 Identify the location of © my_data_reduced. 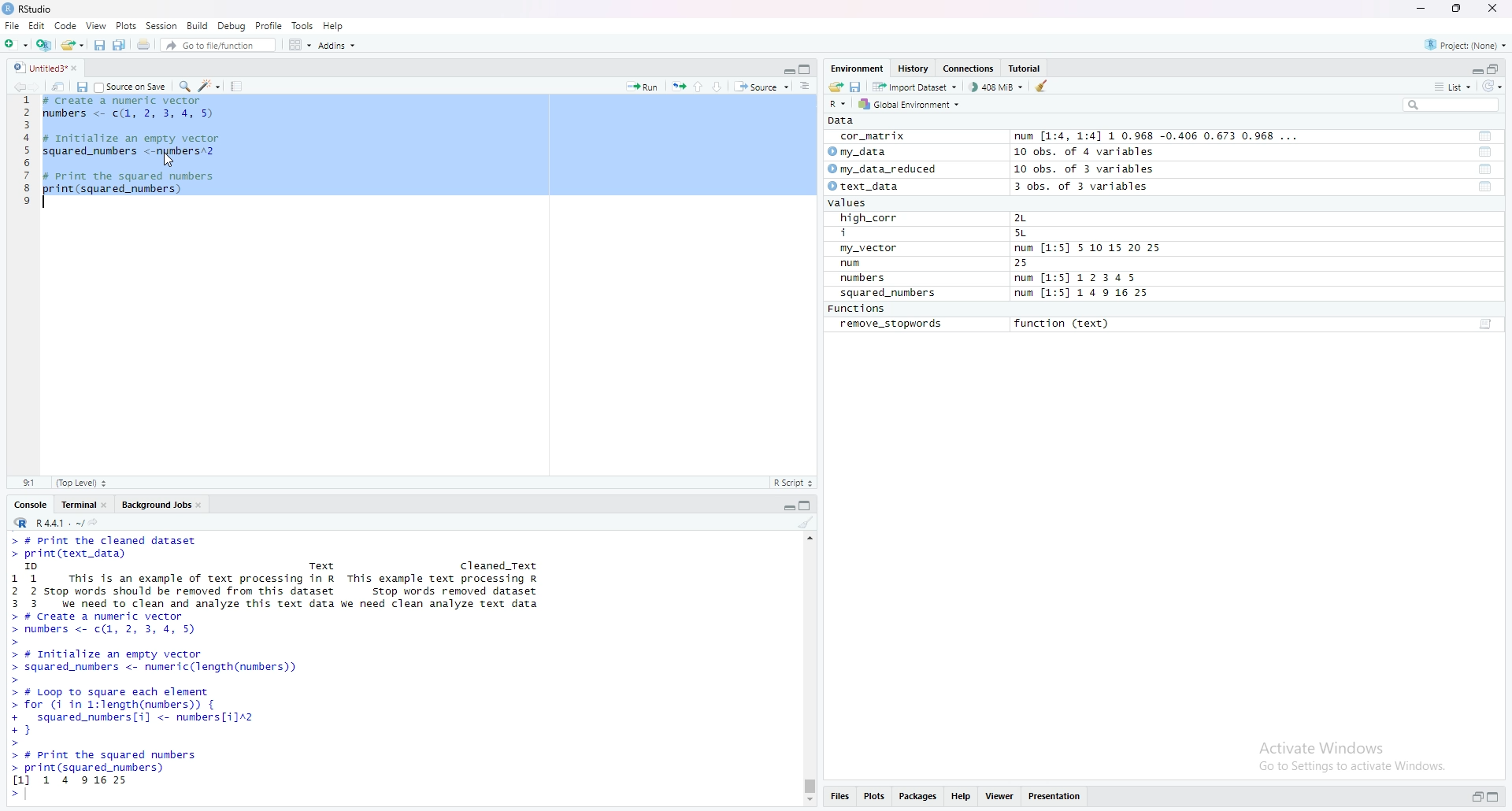
(880, 169).